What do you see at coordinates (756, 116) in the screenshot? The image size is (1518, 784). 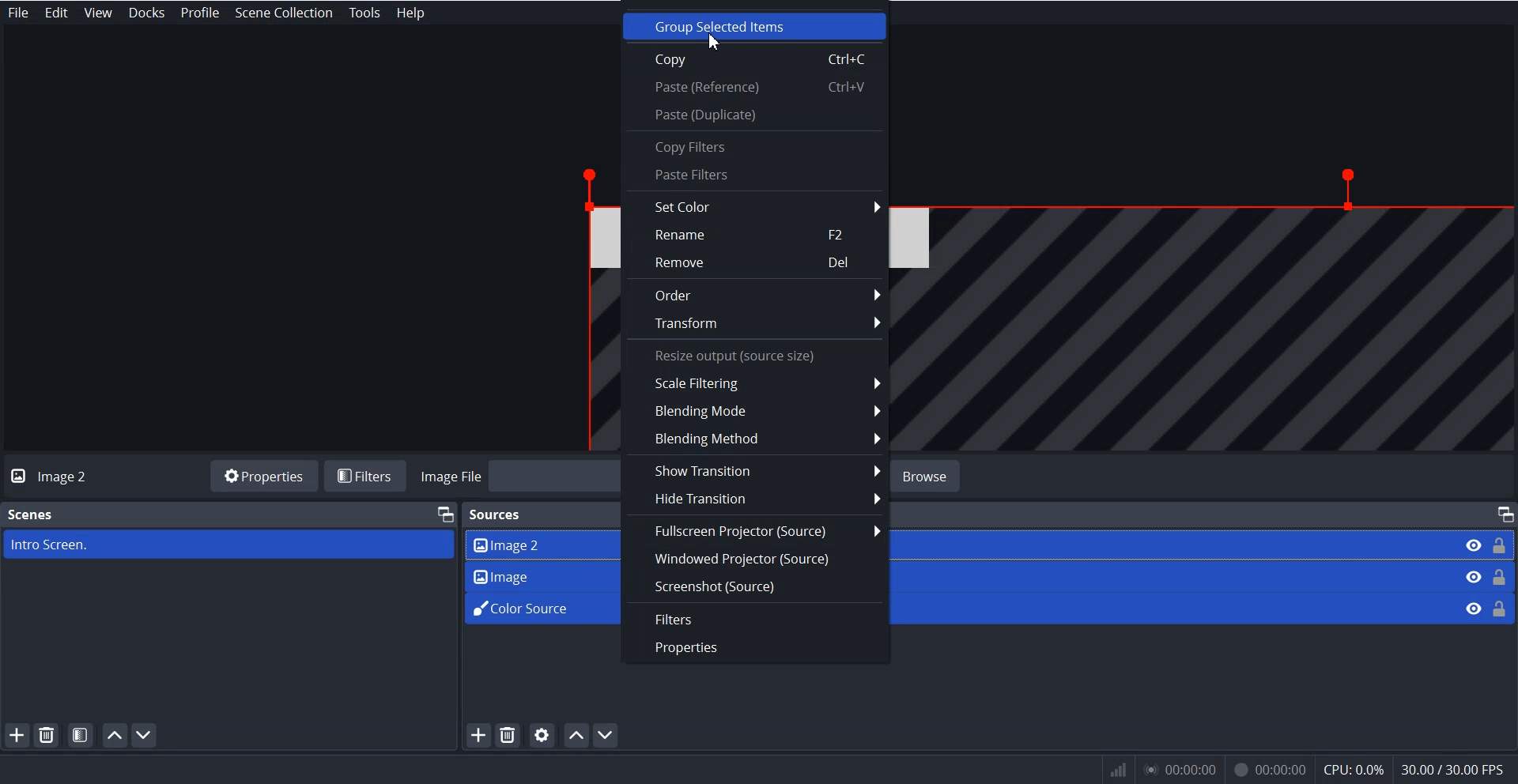 I see `Paste ` at bounding box center [756, 116].